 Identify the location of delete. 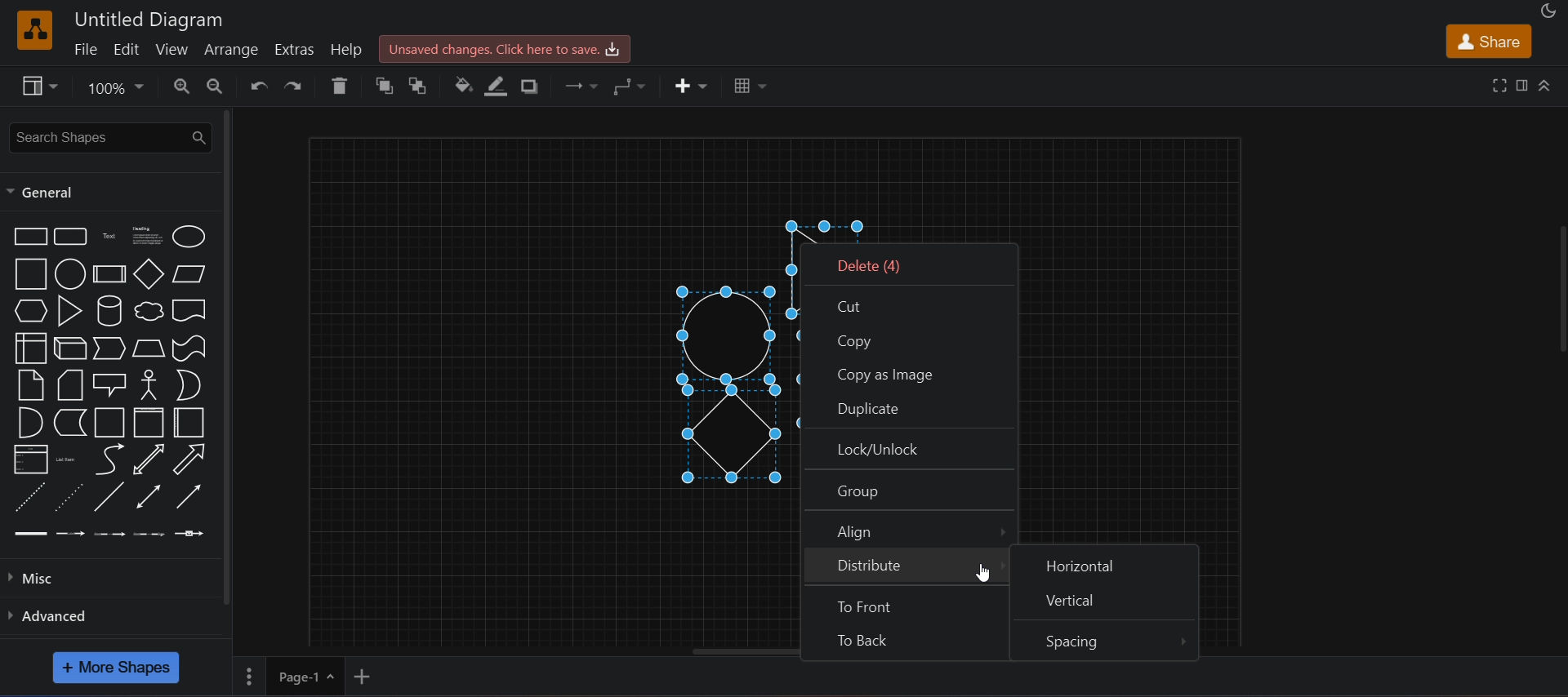
(907, 264).